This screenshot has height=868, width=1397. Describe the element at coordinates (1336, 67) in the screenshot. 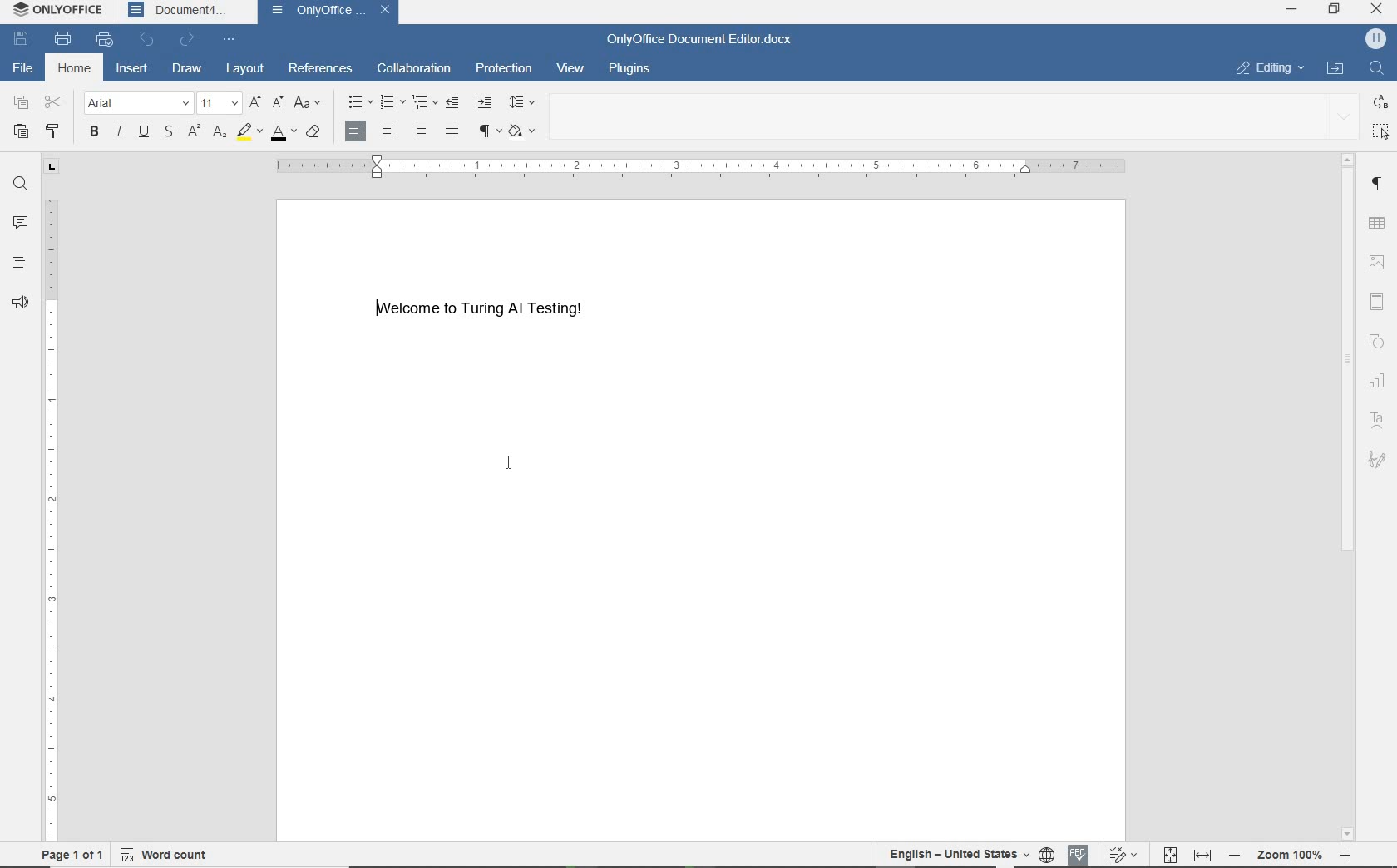

I see `OPEN FILE LOCATION` at that location.